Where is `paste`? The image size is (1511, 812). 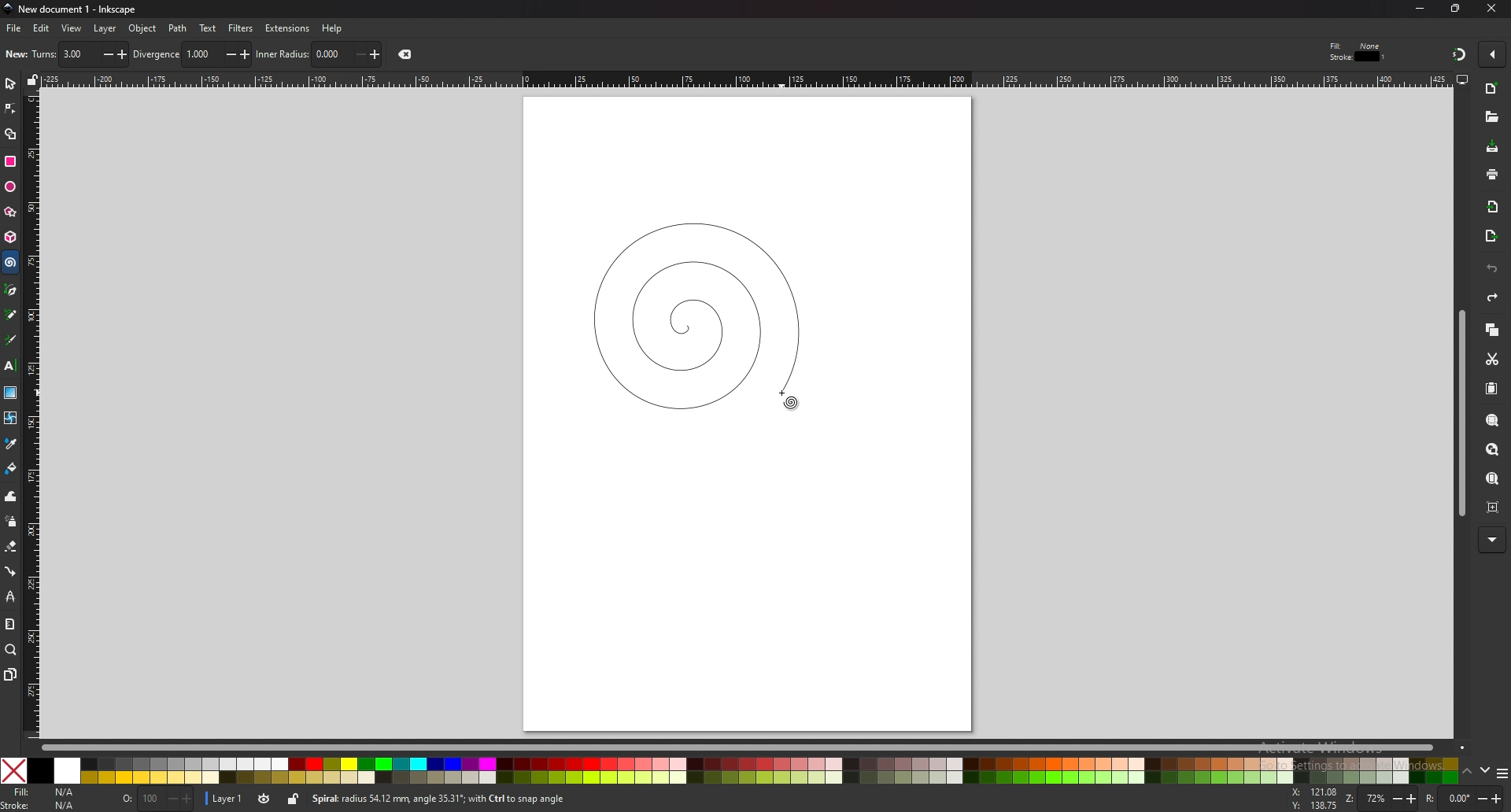 paste is located at coordinates (1491, 388).